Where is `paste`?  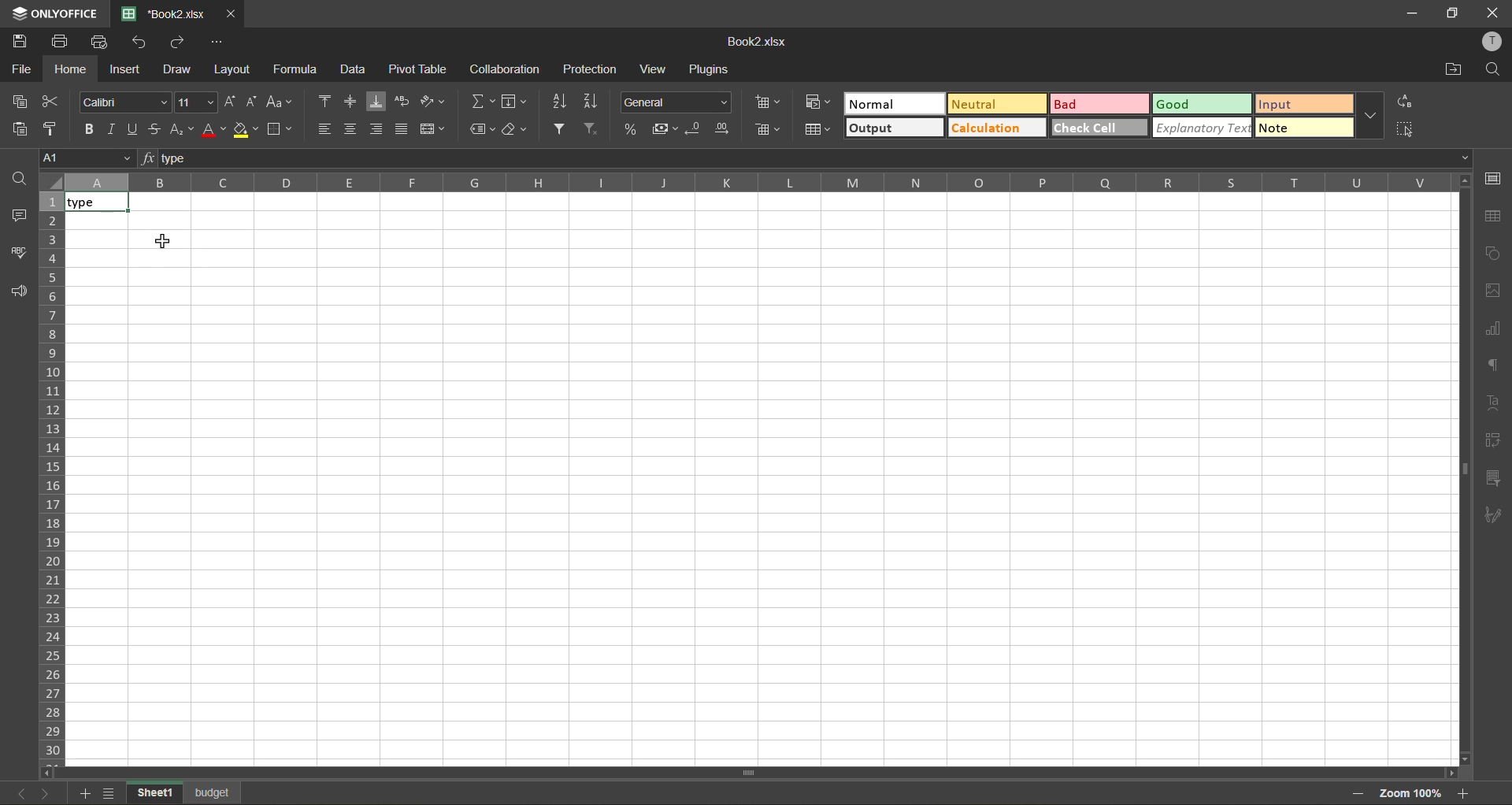 paste is located at coordinates (15, 129).